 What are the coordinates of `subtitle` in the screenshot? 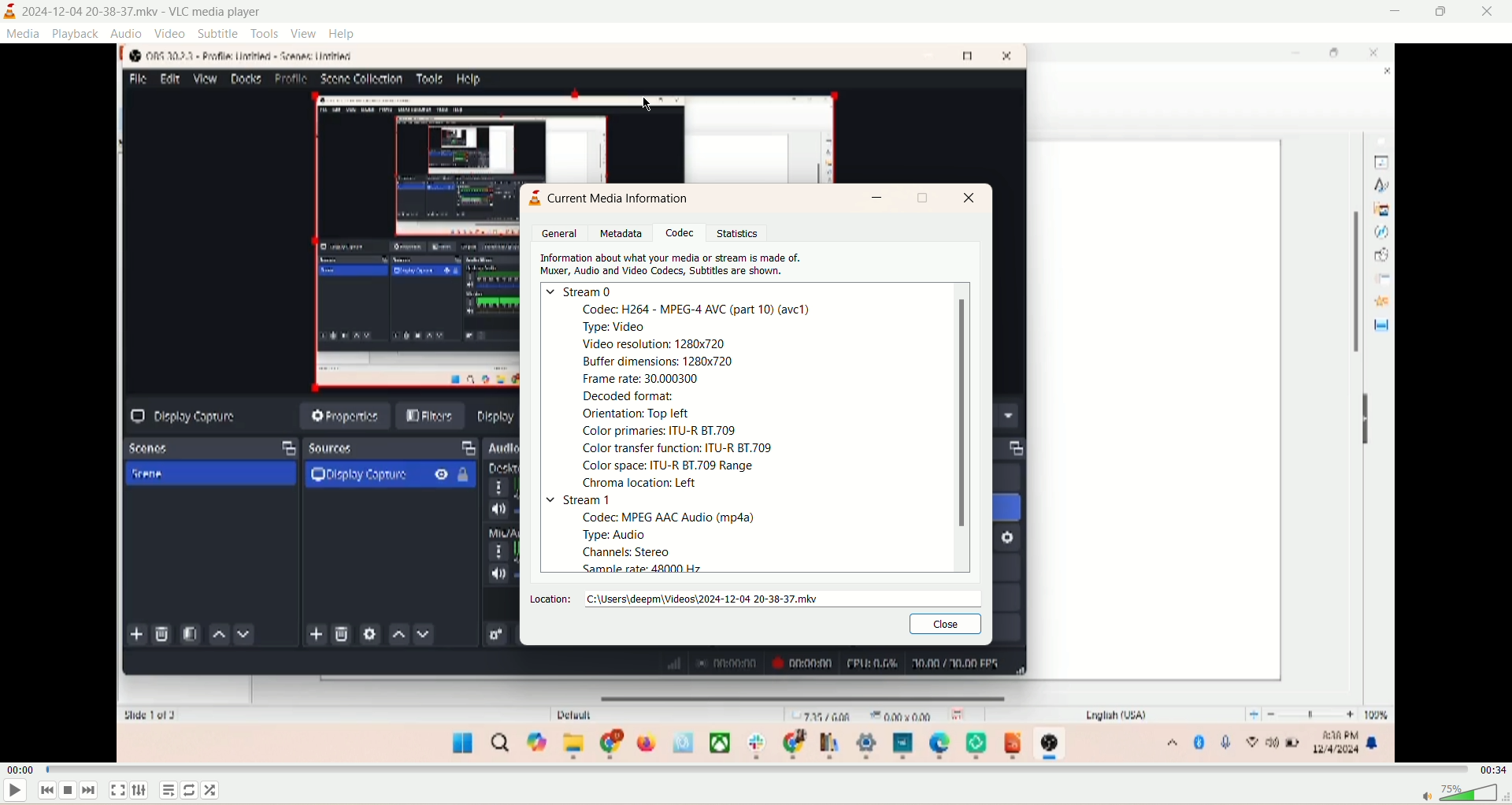 It's located at (218, 33).